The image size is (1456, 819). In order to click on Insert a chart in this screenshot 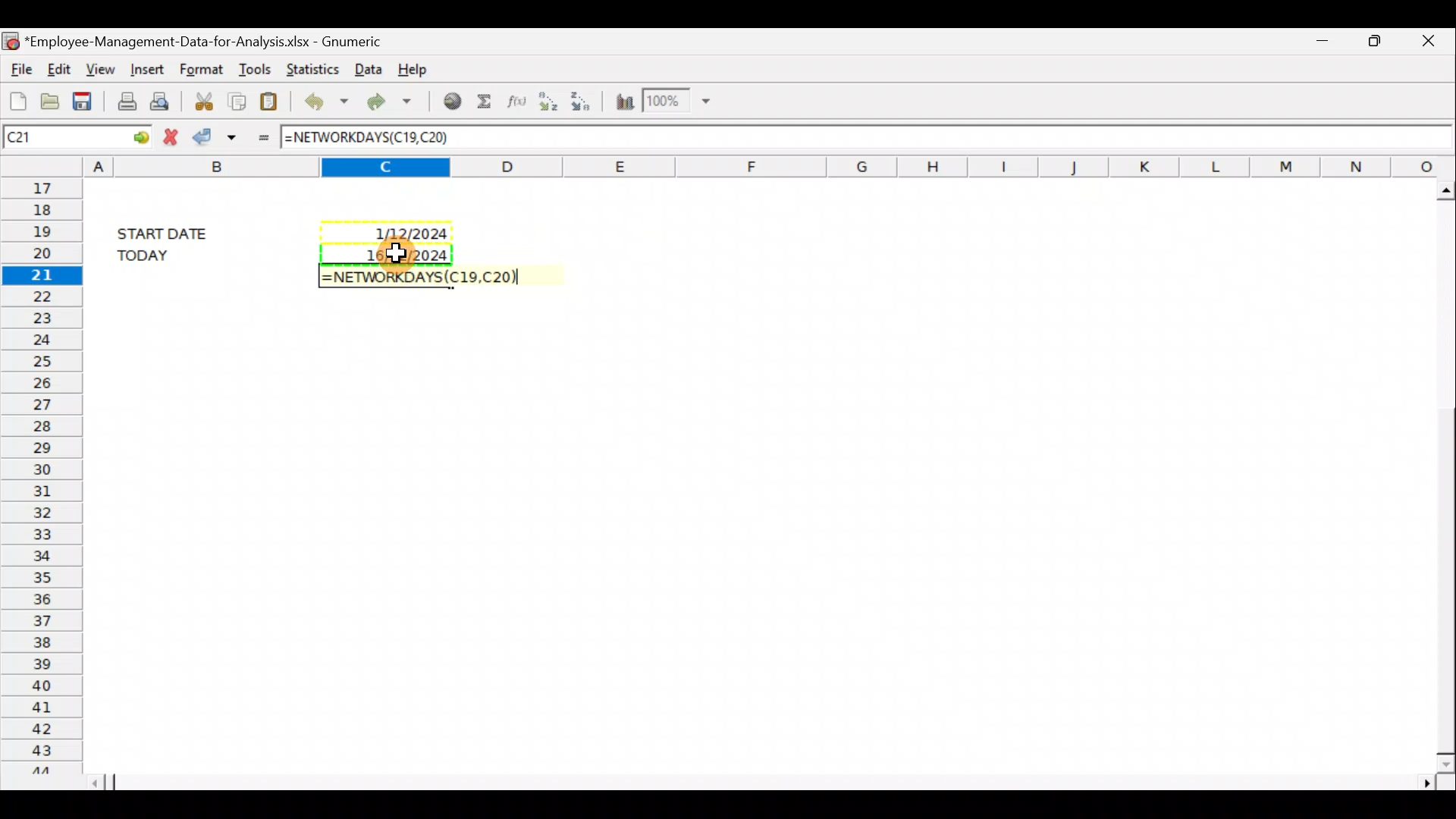, I will do `click(623, 99)`.